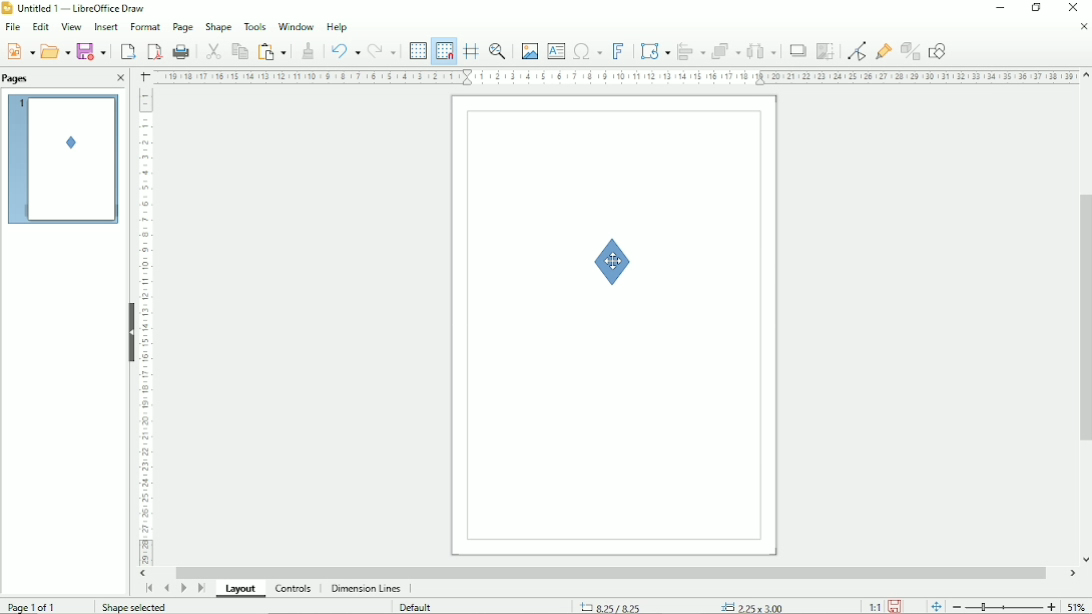 This screenshot has height=614, width=1092. I want to click on Format, so click(143, 27).